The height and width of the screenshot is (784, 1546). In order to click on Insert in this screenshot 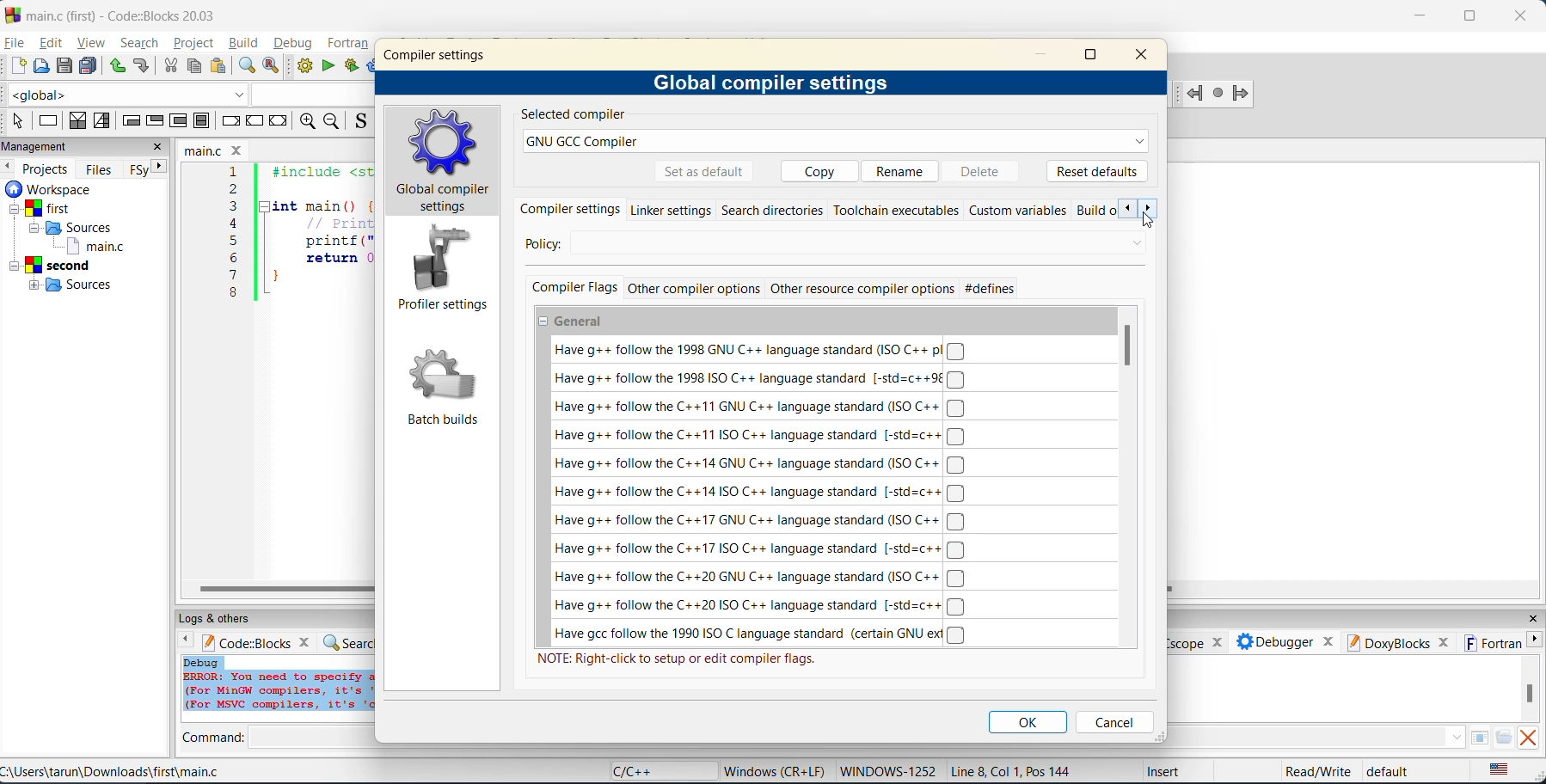, I will do `click(1162, 770)`.